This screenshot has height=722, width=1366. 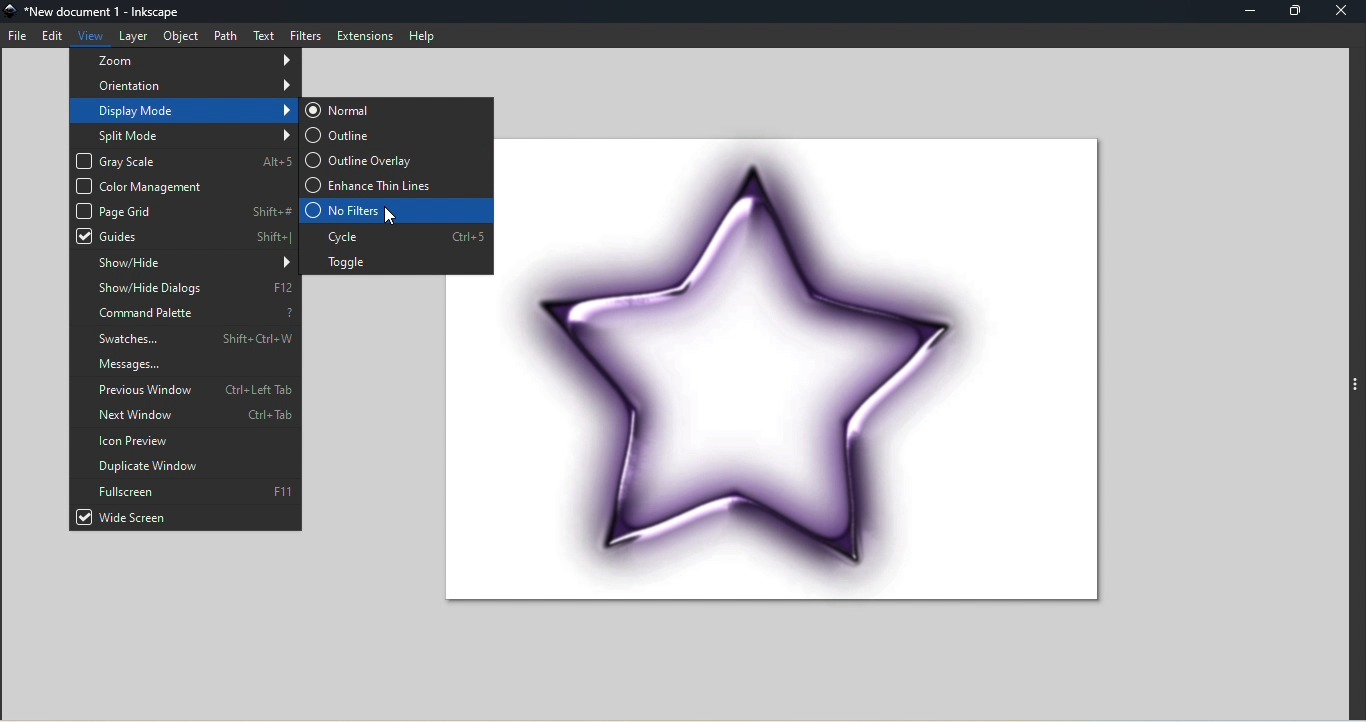 What do you see at coordinates (395, 133) in the screenshot?
I see `Outline` at bounding box center [395, 133].